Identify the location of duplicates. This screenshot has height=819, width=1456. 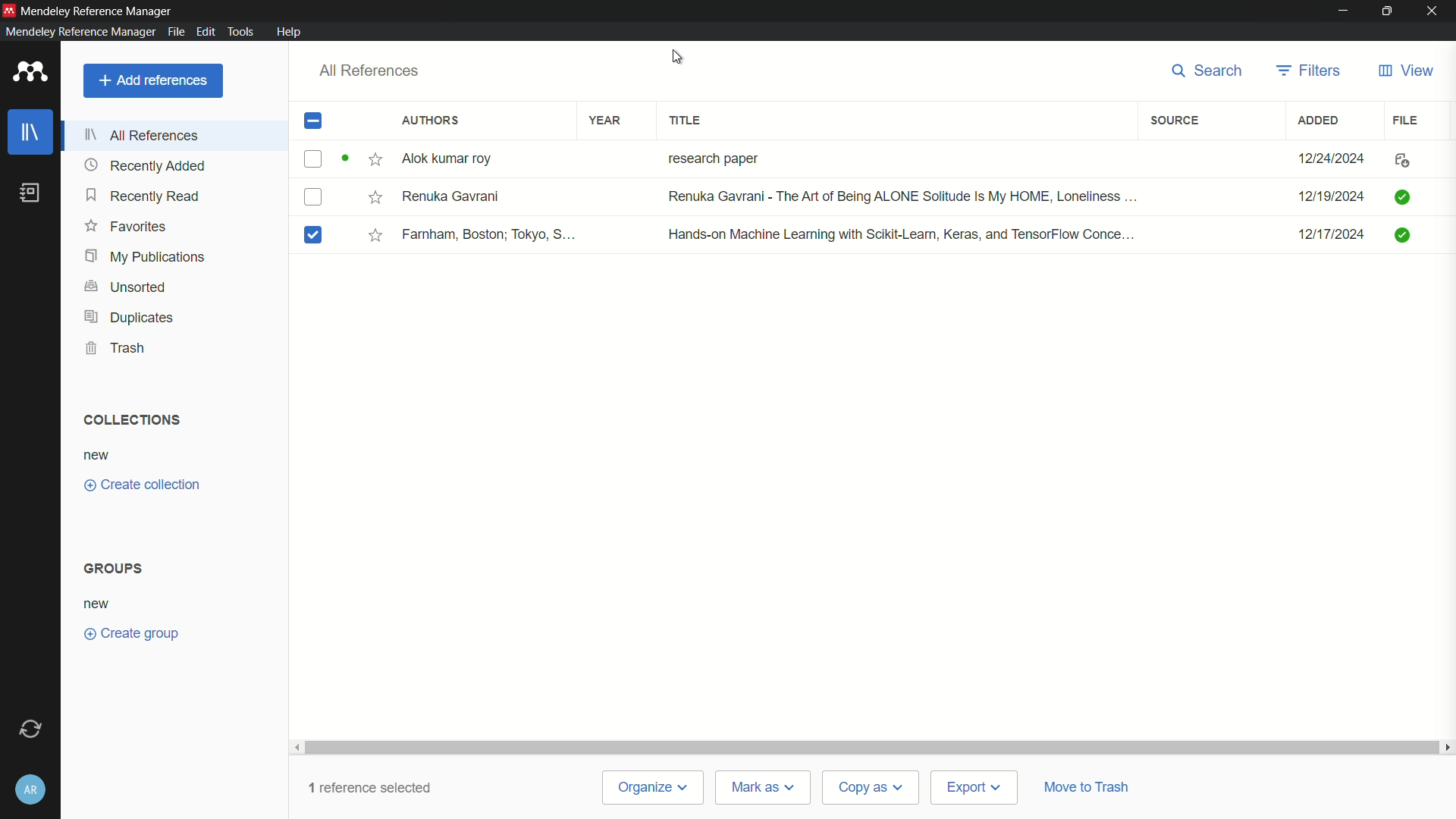
(132, 318).